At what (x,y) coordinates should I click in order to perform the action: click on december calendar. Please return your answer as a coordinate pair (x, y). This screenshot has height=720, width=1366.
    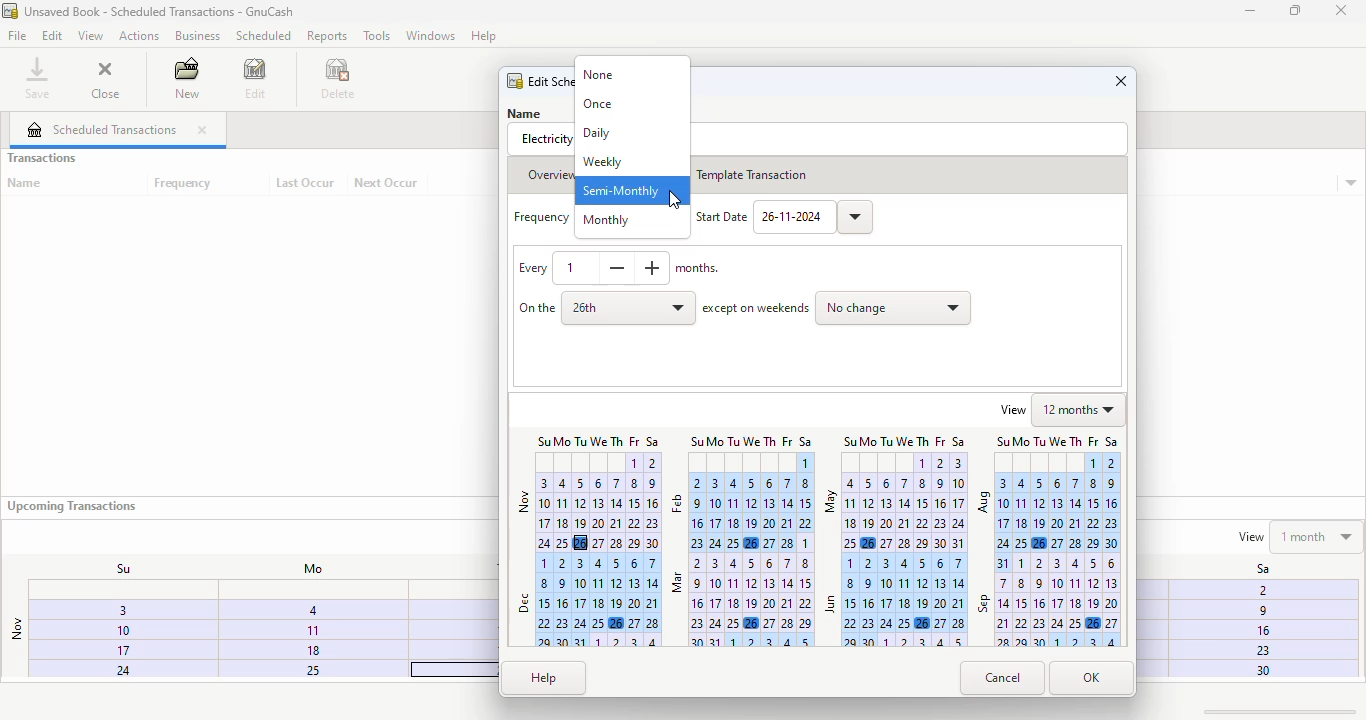
    Looking at the image, I should click on (587, 601).